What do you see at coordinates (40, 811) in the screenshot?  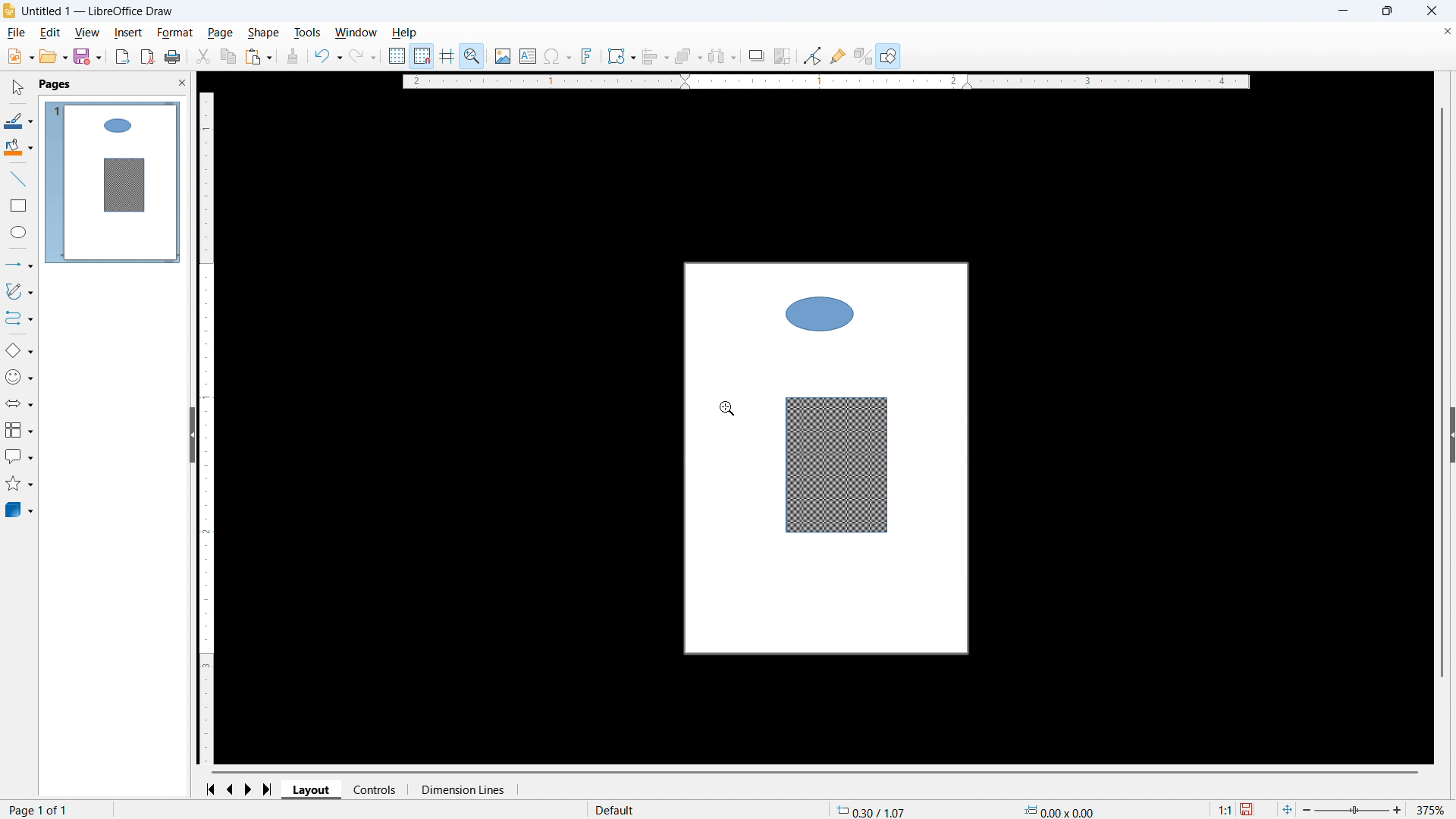 I see `Page number ` at bounding box center [40, 811].